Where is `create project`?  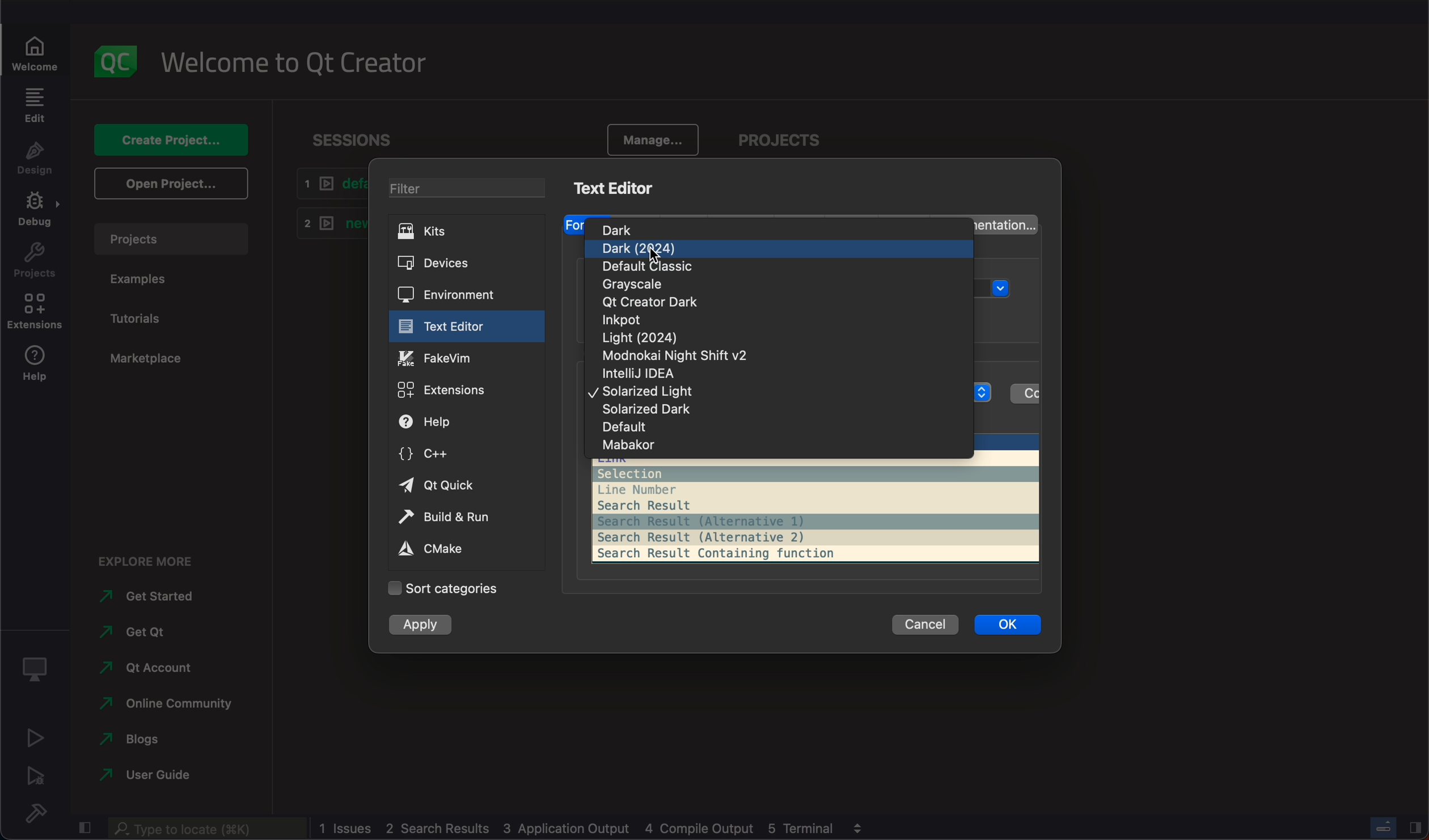 create project is located at coordinates (172, 139).